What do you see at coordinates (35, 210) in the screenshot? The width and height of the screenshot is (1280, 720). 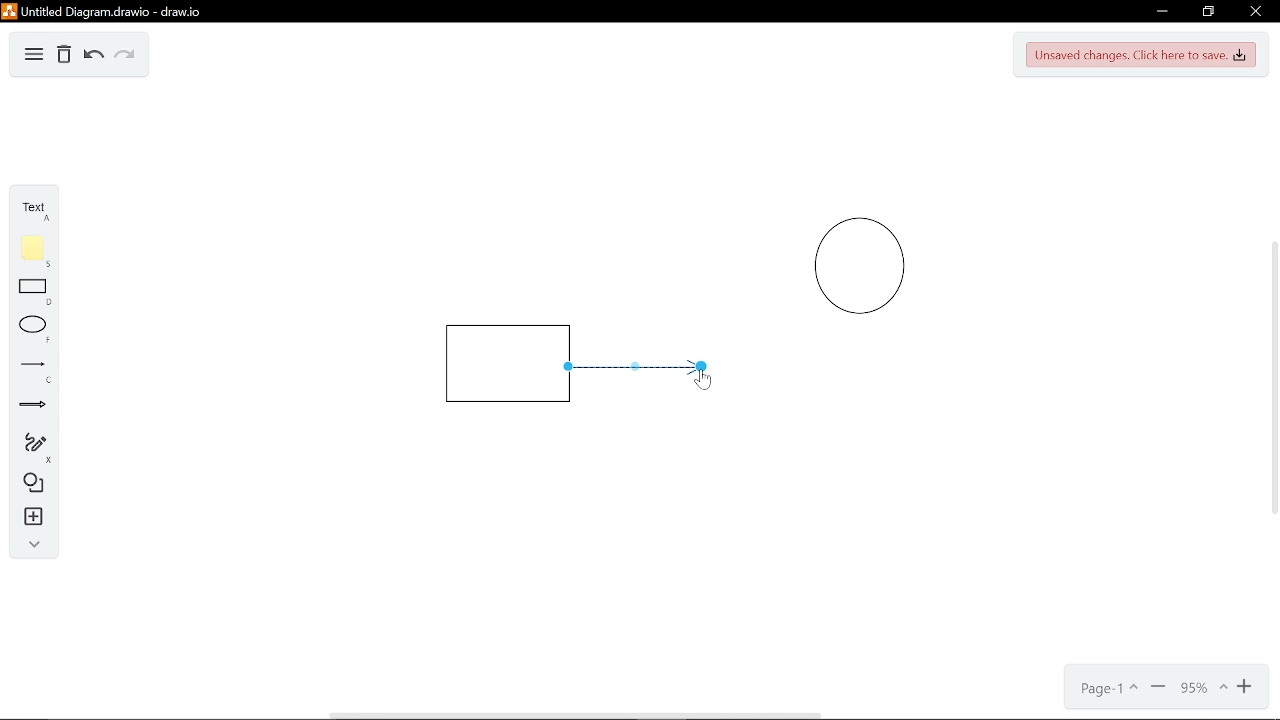 I see `Text` at bounding box center [35, 210].